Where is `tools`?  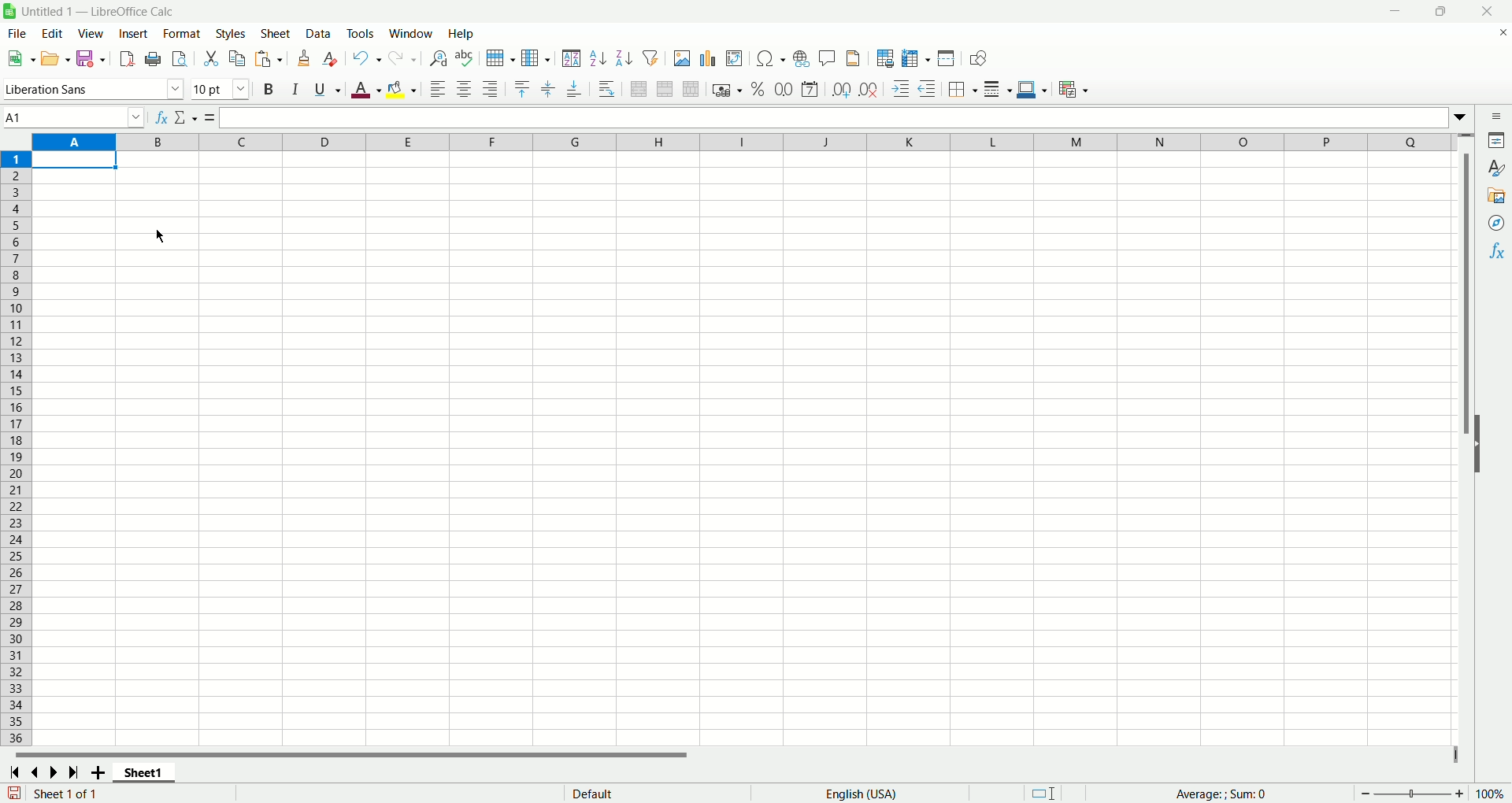 tools is located at coordinates (360, 34).